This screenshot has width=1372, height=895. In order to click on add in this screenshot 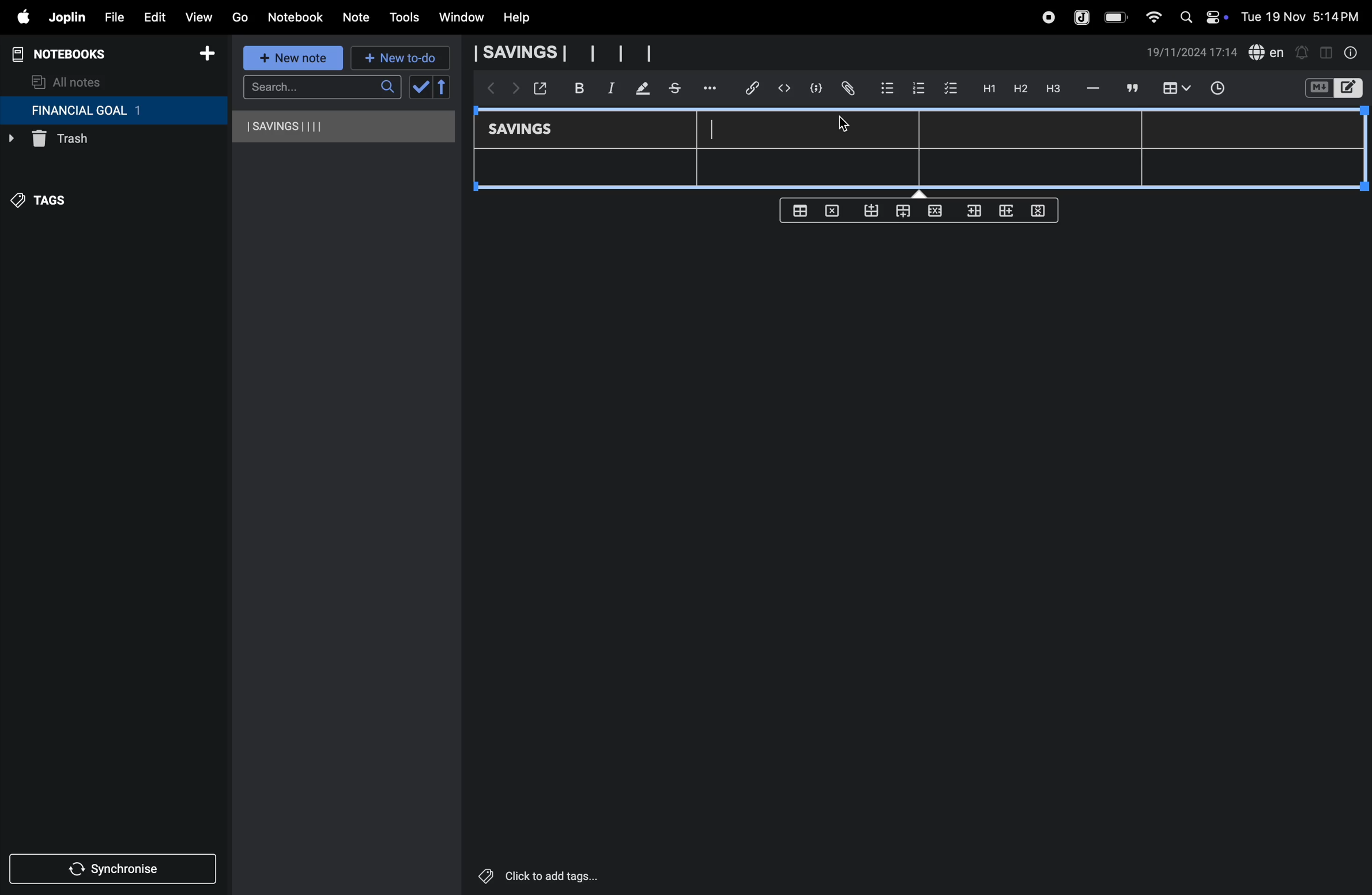, I will do `click(207, 55)`.